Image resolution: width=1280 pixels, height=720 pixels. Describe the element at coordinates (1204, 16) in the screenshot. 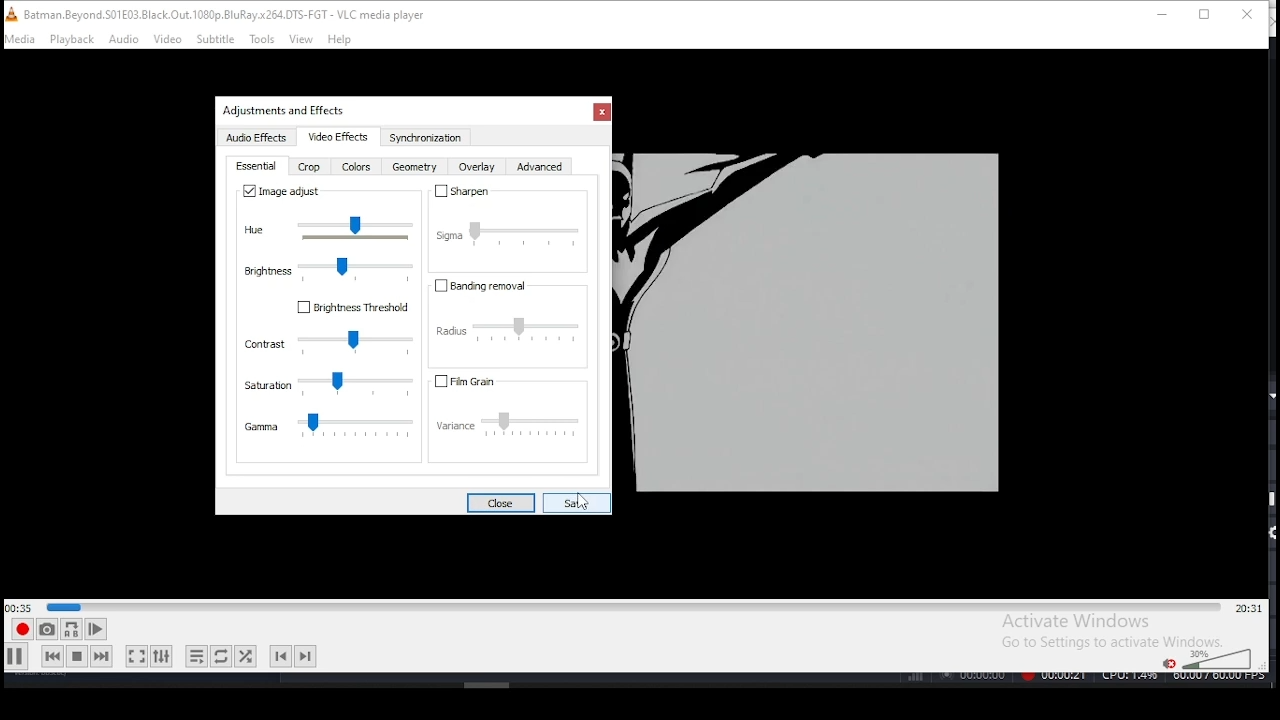

I see `restore` at that location.